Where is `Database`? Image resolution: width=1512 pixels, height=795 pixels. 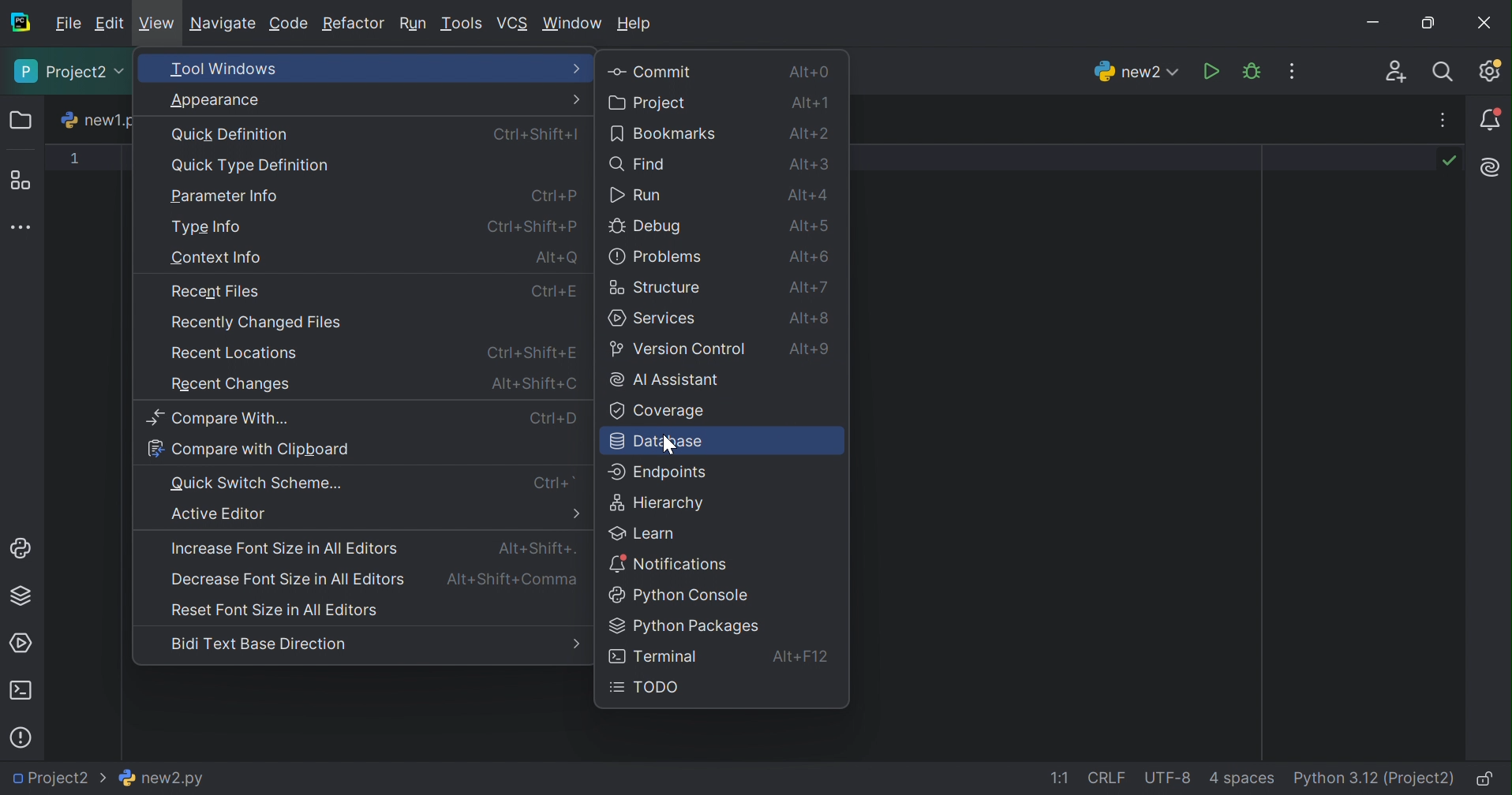
Database is located at coordinates (728, 441).